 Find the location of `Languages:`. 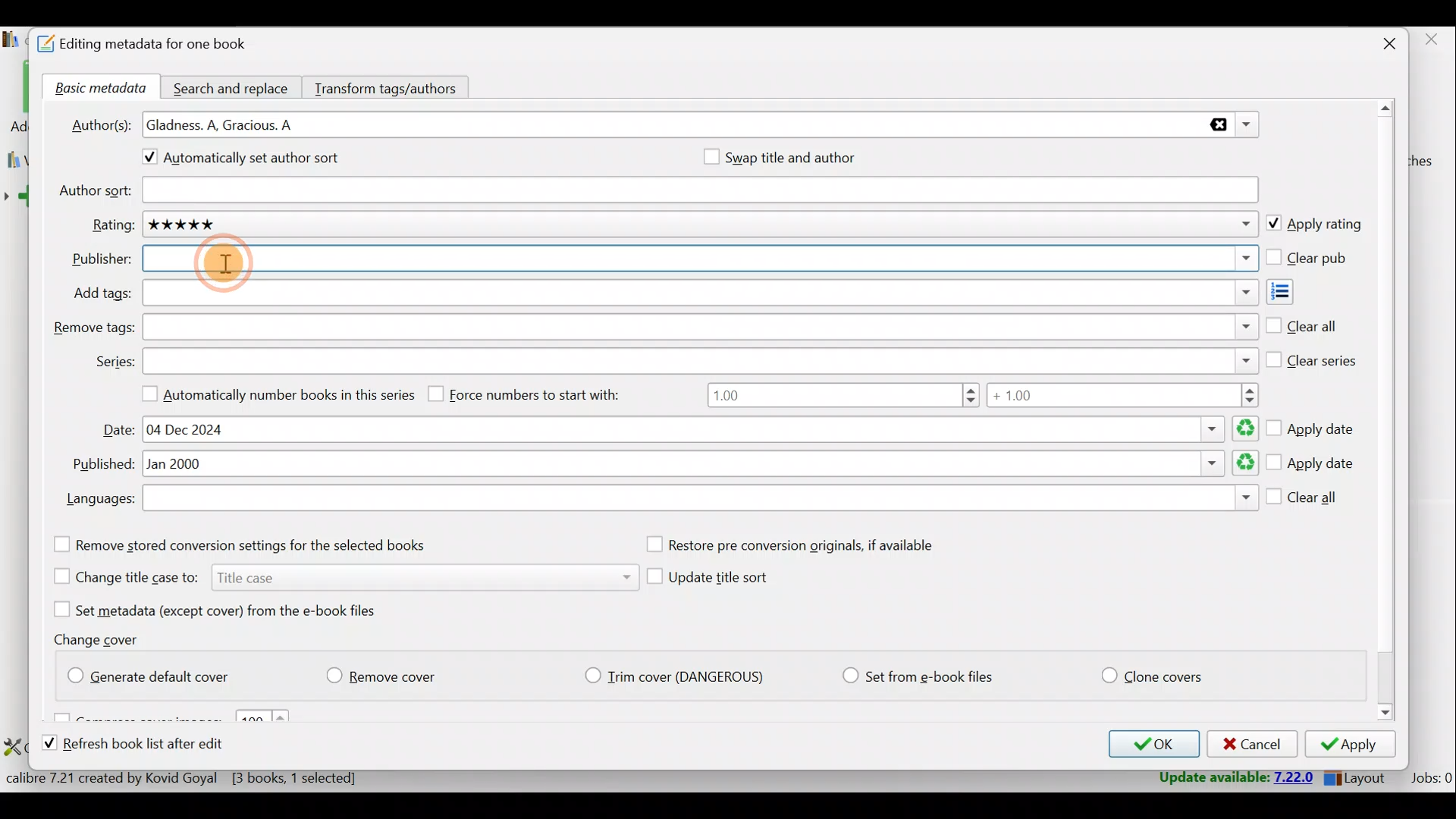

Languages: is located at coordinates (99, 500).